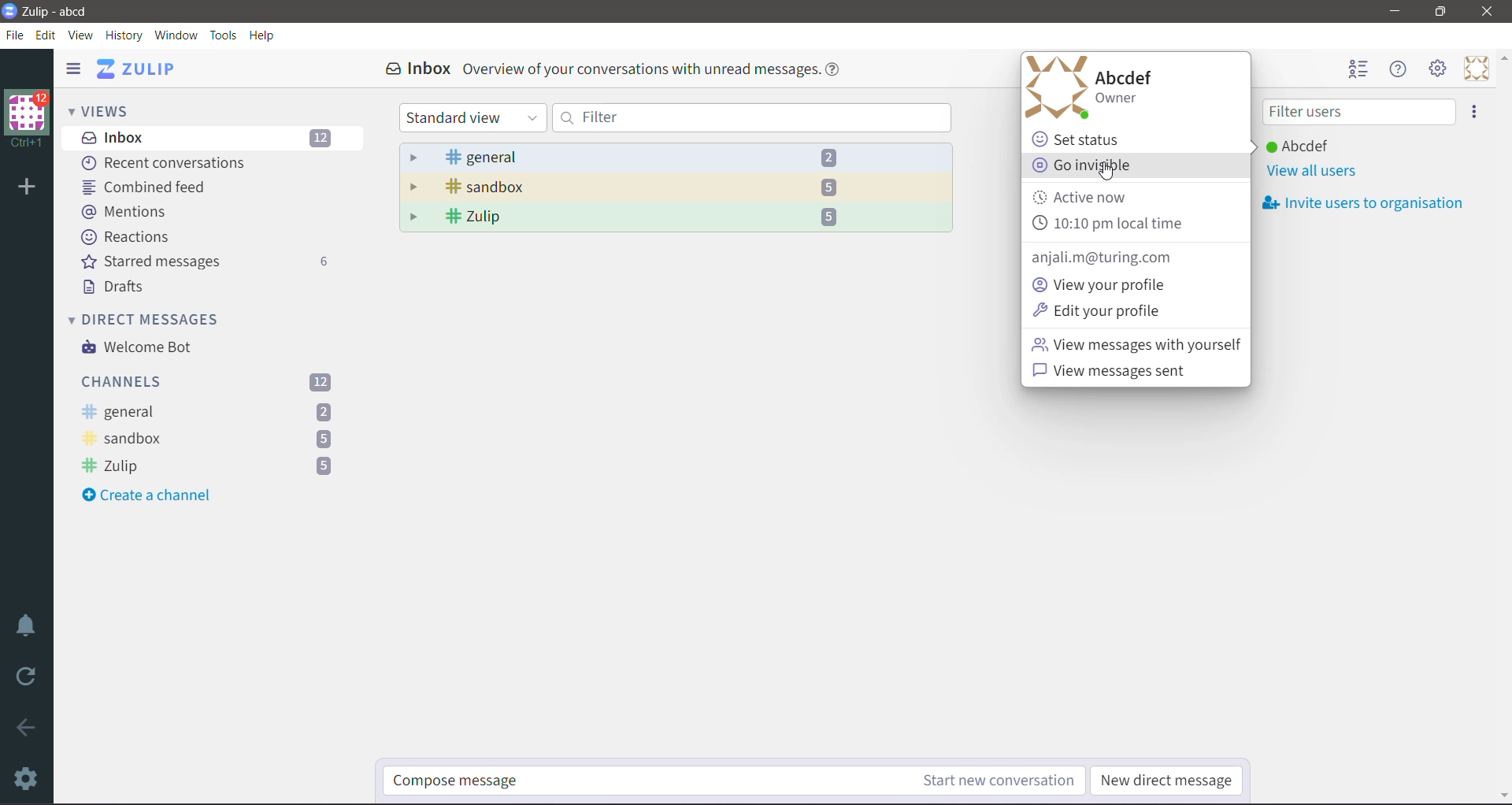 This screenshot has width=1512, height=805. What do you see at coordinates (46, 34) in the screenshot?
I see `Edit` at bounding box center [46, 34].